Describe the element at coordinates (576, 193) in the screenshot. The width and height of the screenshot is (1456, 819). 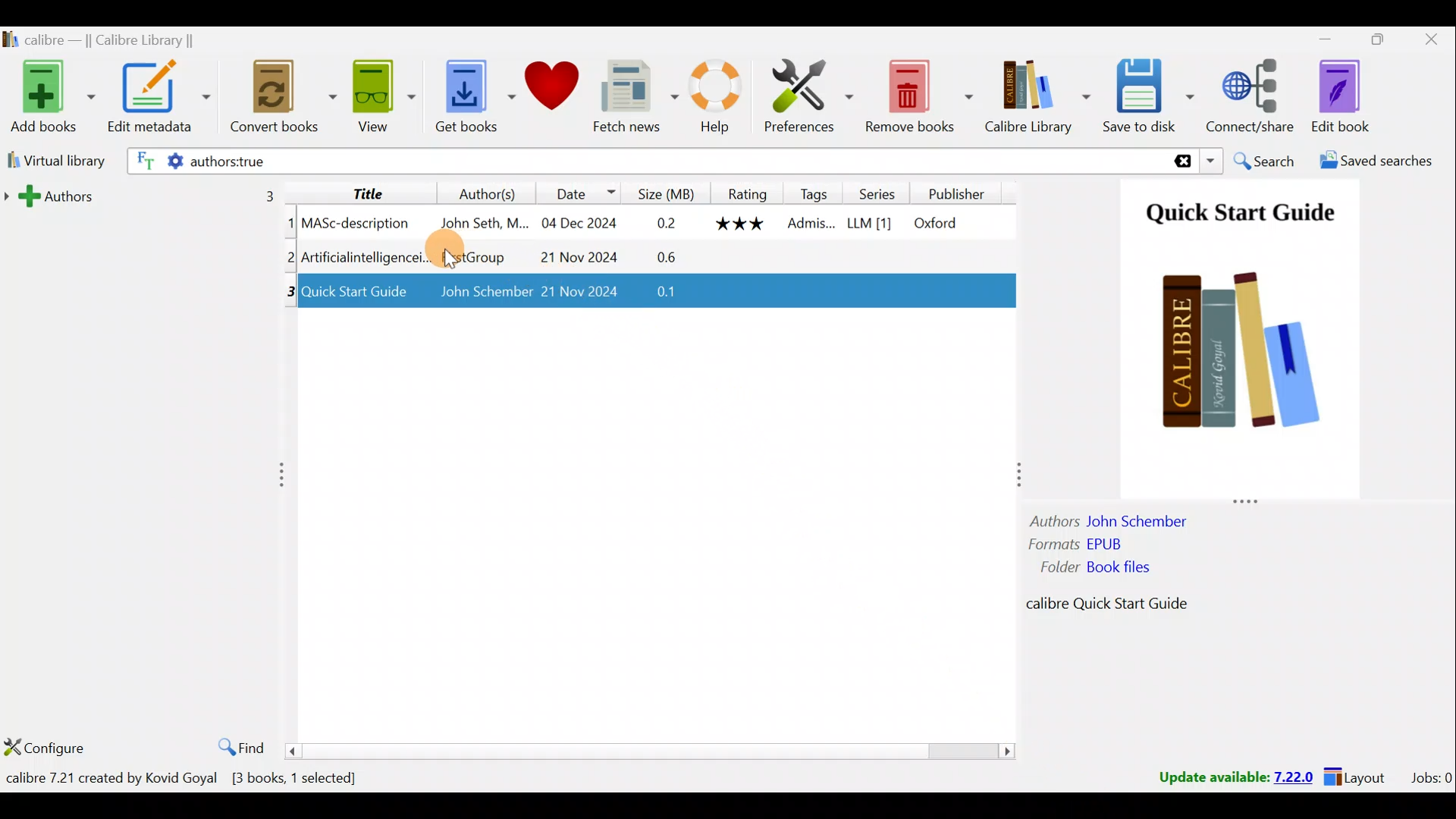
I see `Date` at that location.